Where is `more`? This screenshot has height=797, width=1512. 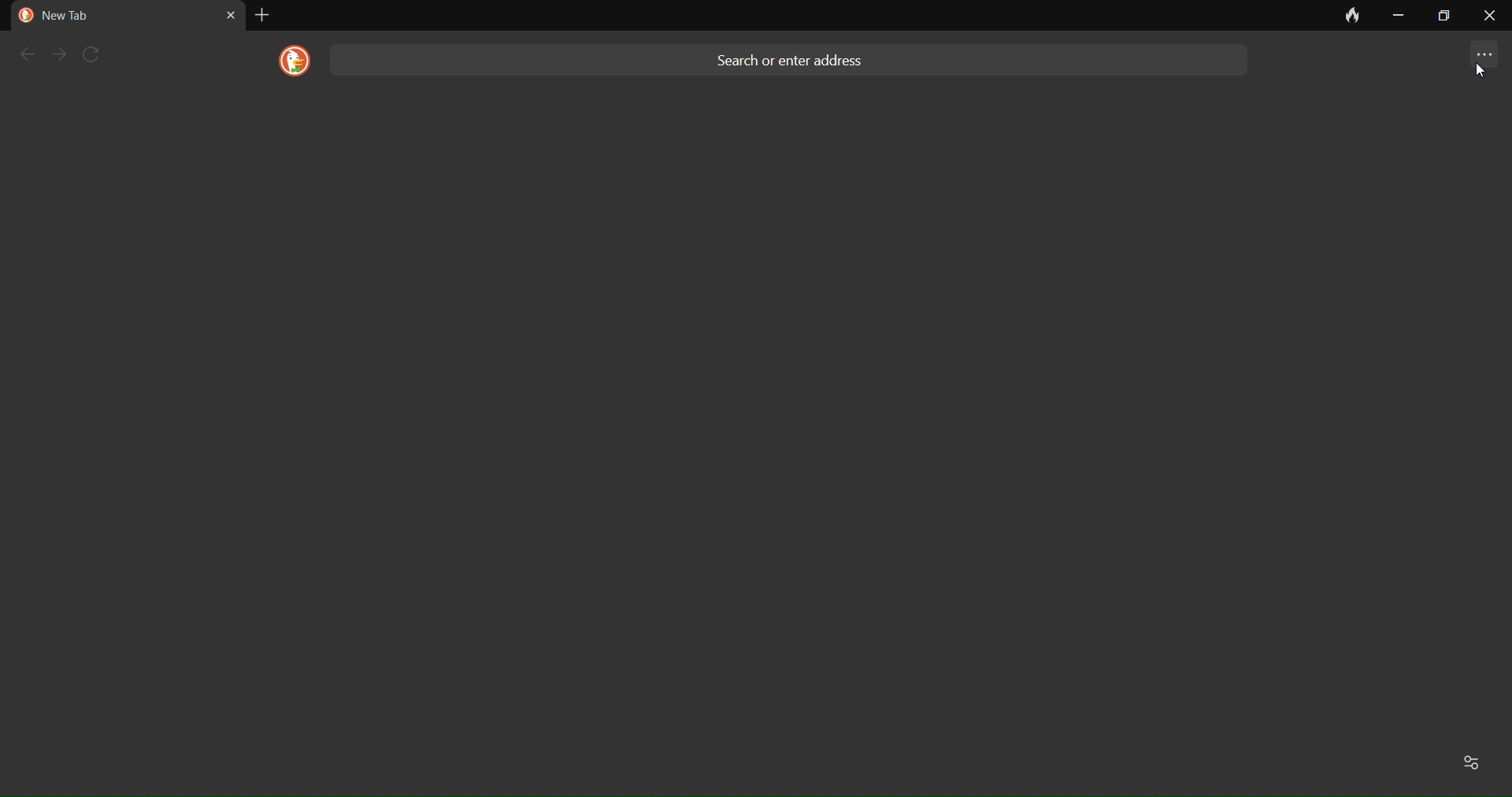
more is located at coordinates (1476, 57).